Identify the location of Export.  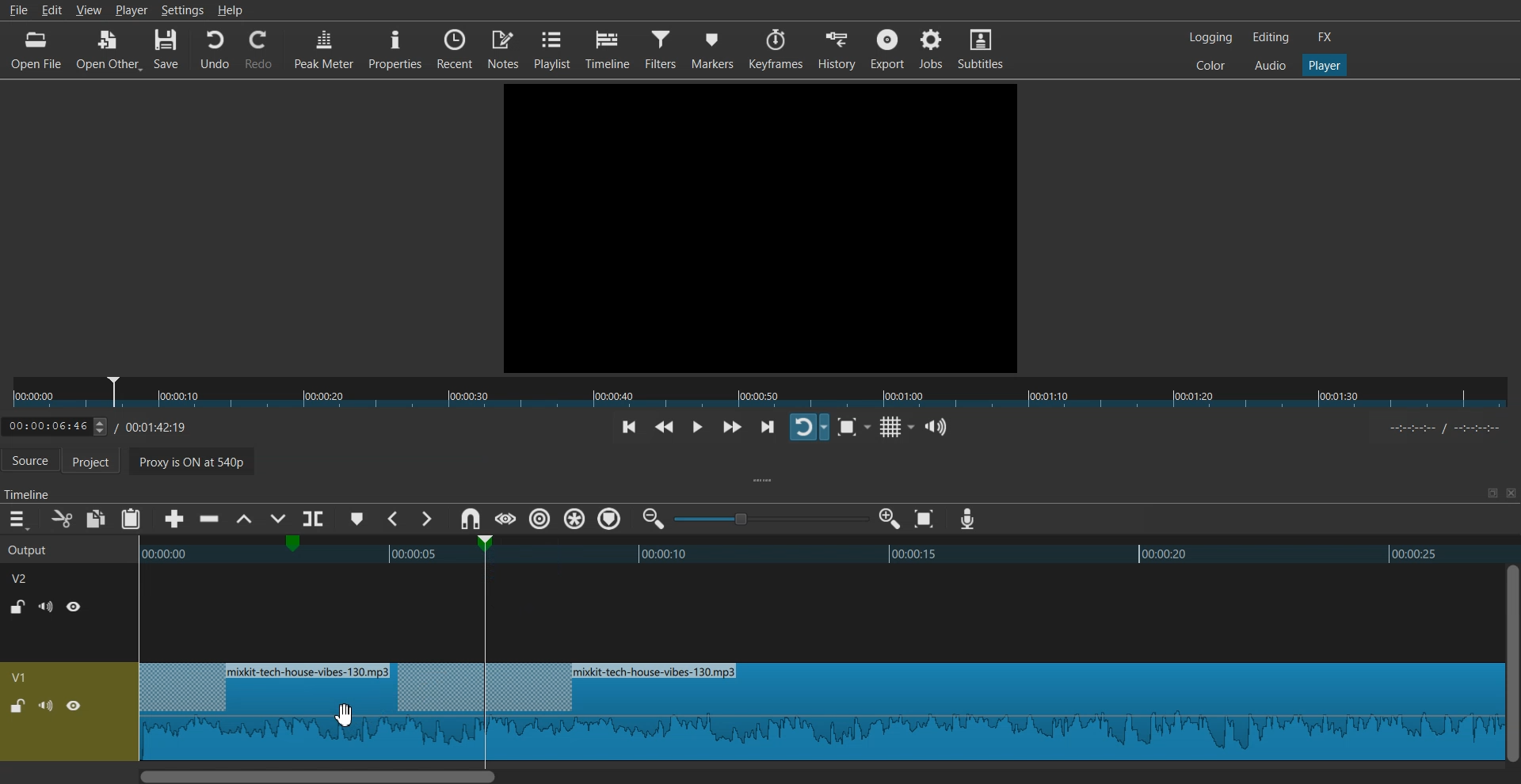
(887, 48).